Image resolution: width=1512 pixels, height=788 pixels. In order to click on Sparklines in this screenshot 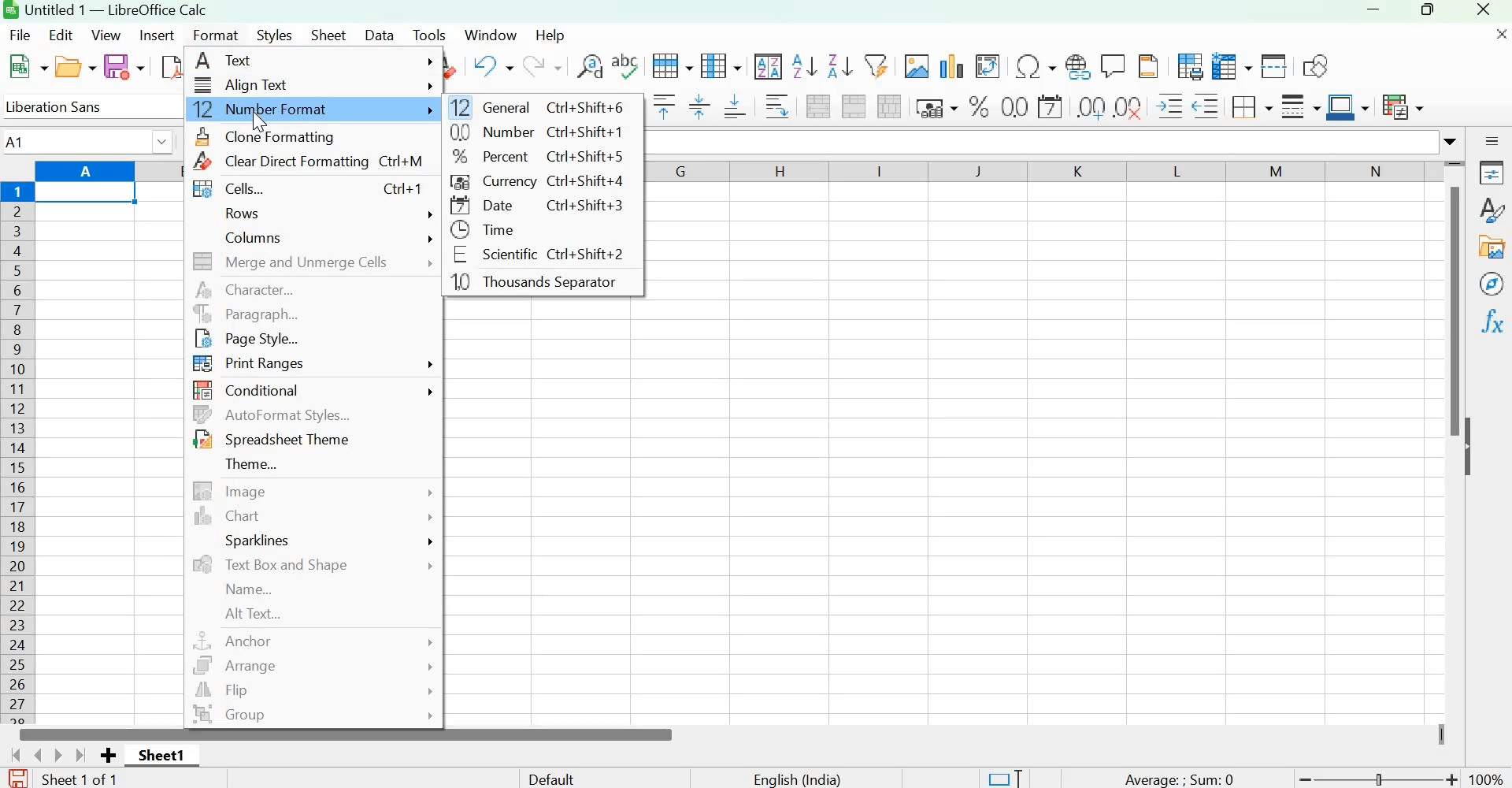, I will do `click(259, 539)`.